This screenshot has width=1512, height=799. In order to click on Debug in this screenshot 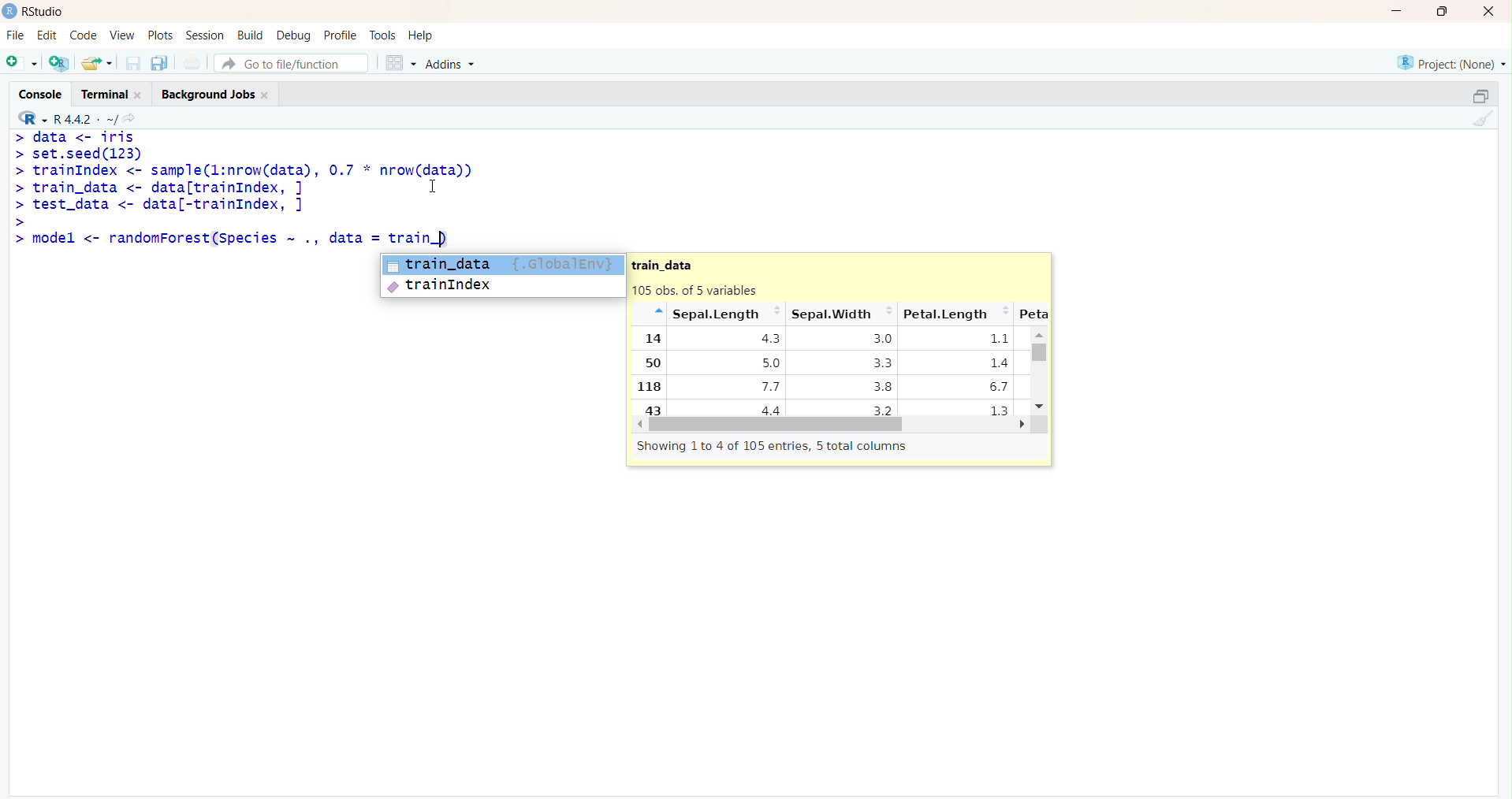, I will do `click(295, 34)`.